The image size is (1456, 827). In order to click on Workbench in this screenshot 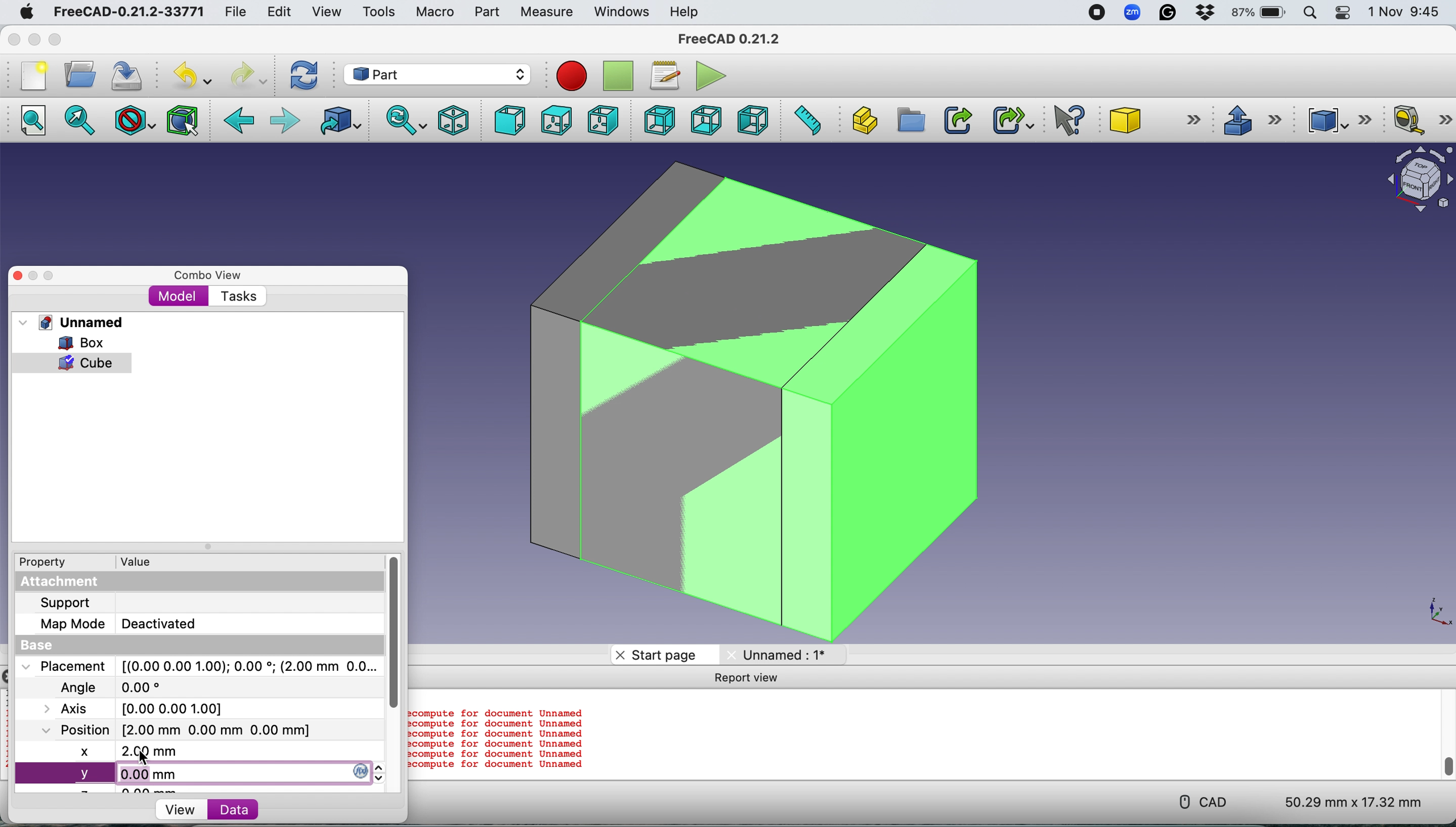, I will do `click(436, 73)`.